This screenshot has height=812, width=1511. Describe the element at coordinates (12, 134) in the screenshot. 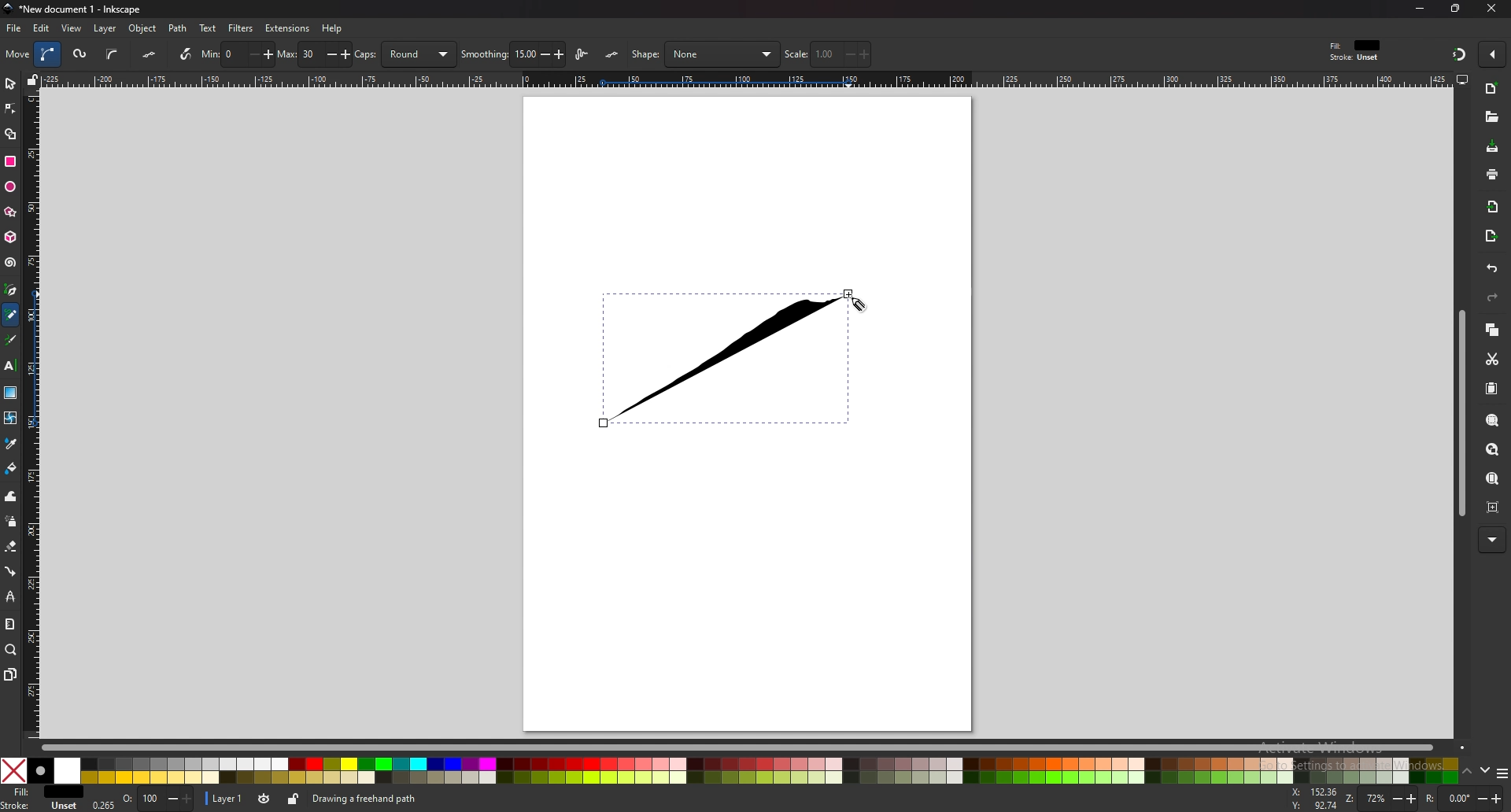

I see `shape builder` at that location.